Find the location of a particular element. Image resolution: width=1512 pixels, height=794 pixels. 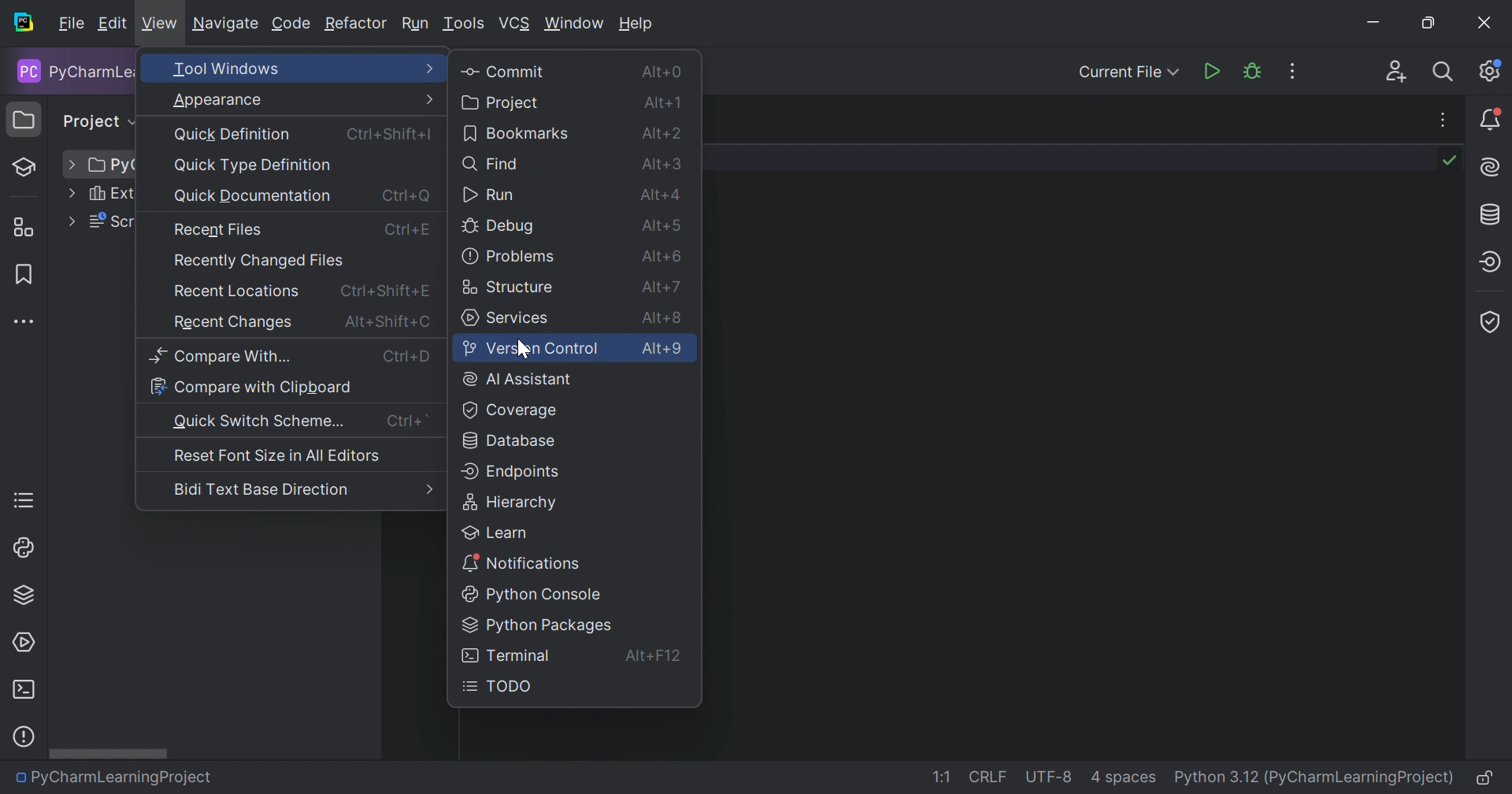

Recent Changes is located at coordinates (233, 323).